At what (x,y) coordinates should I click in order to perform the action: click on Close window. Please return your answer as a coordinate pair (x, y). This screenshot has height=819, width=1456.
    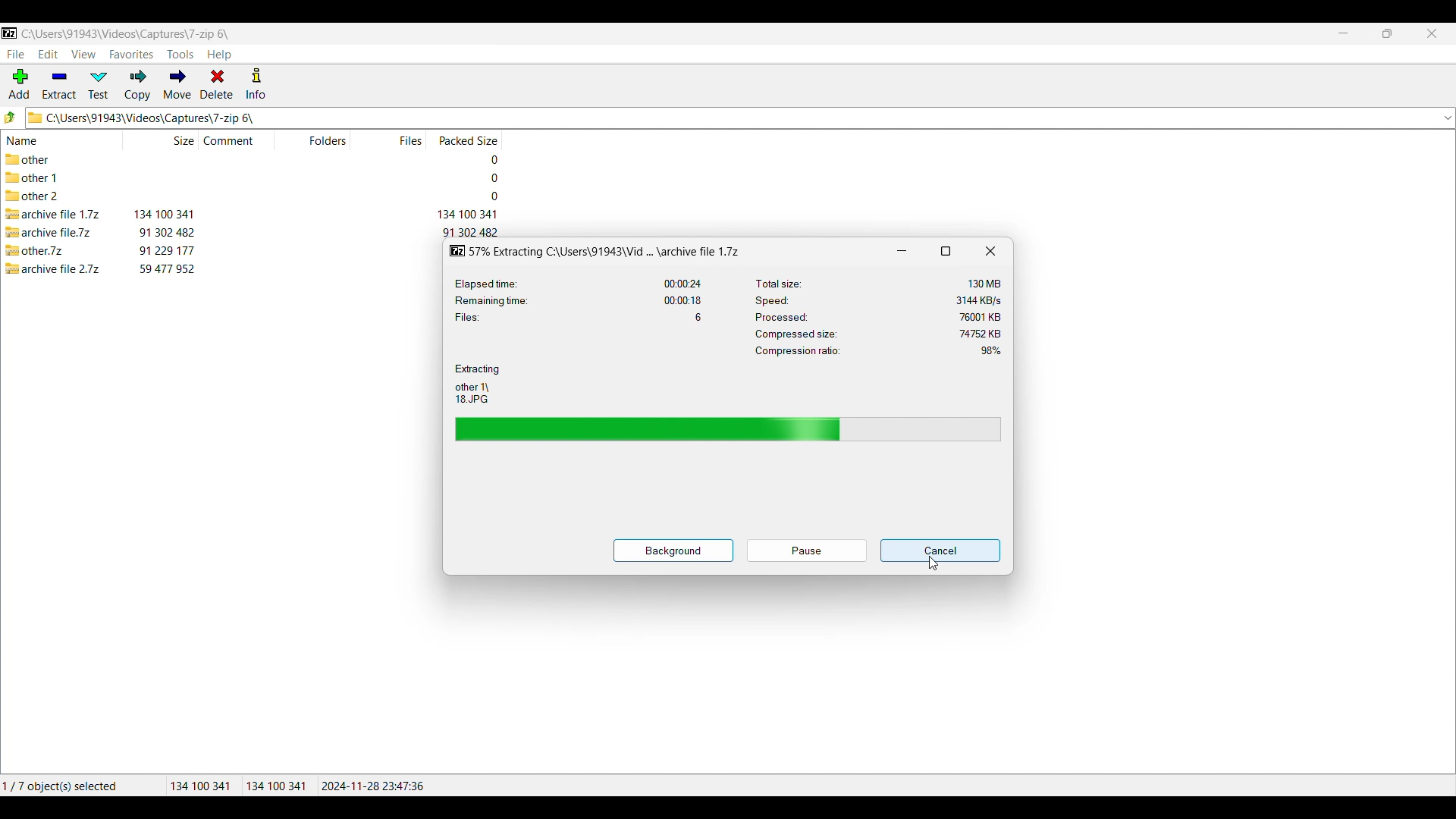
    Looking at the image, I should click on (990, 251).